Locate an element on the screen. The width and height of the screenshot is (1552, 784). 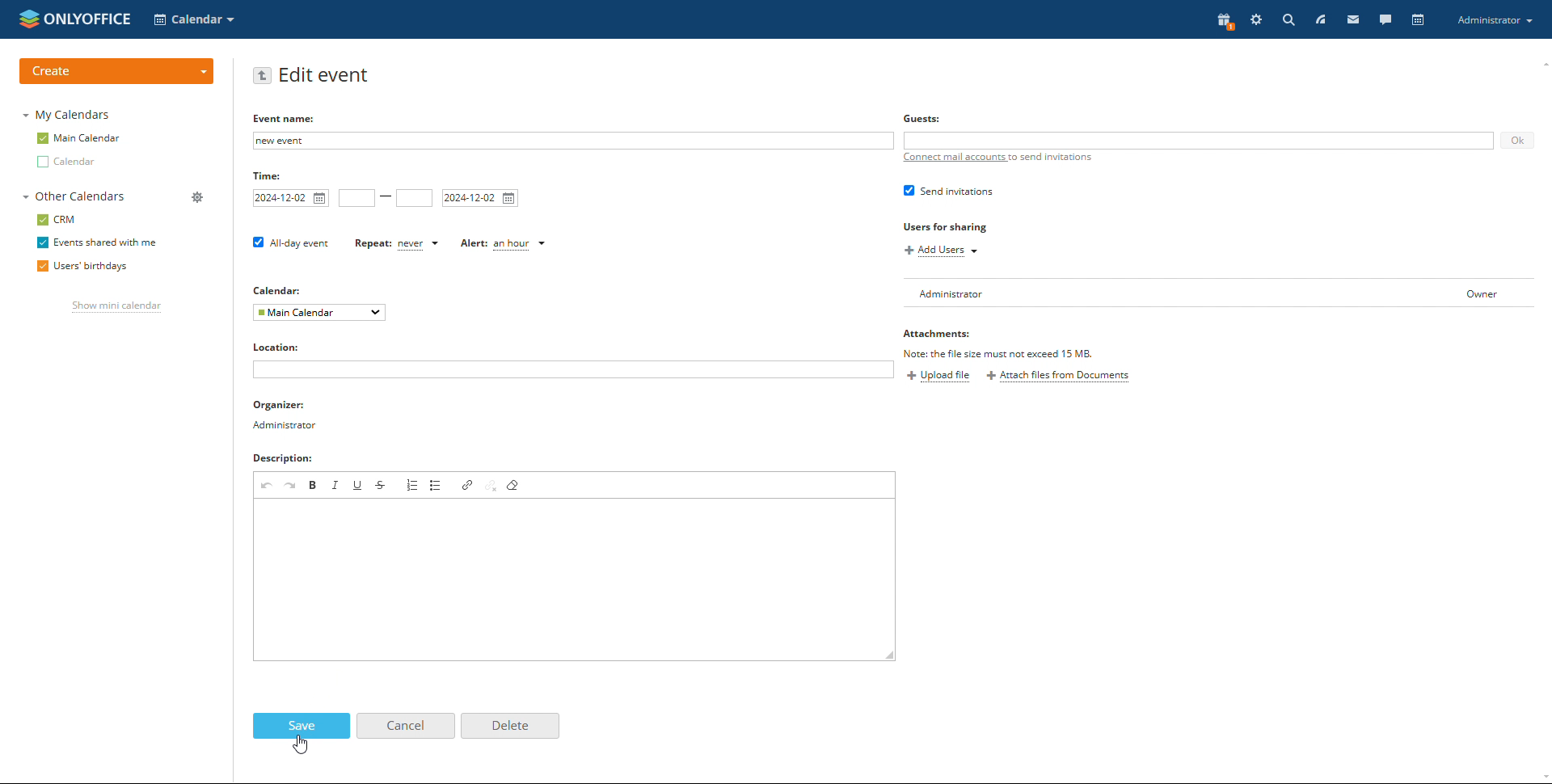
present is located at coordinates (1225, 21).